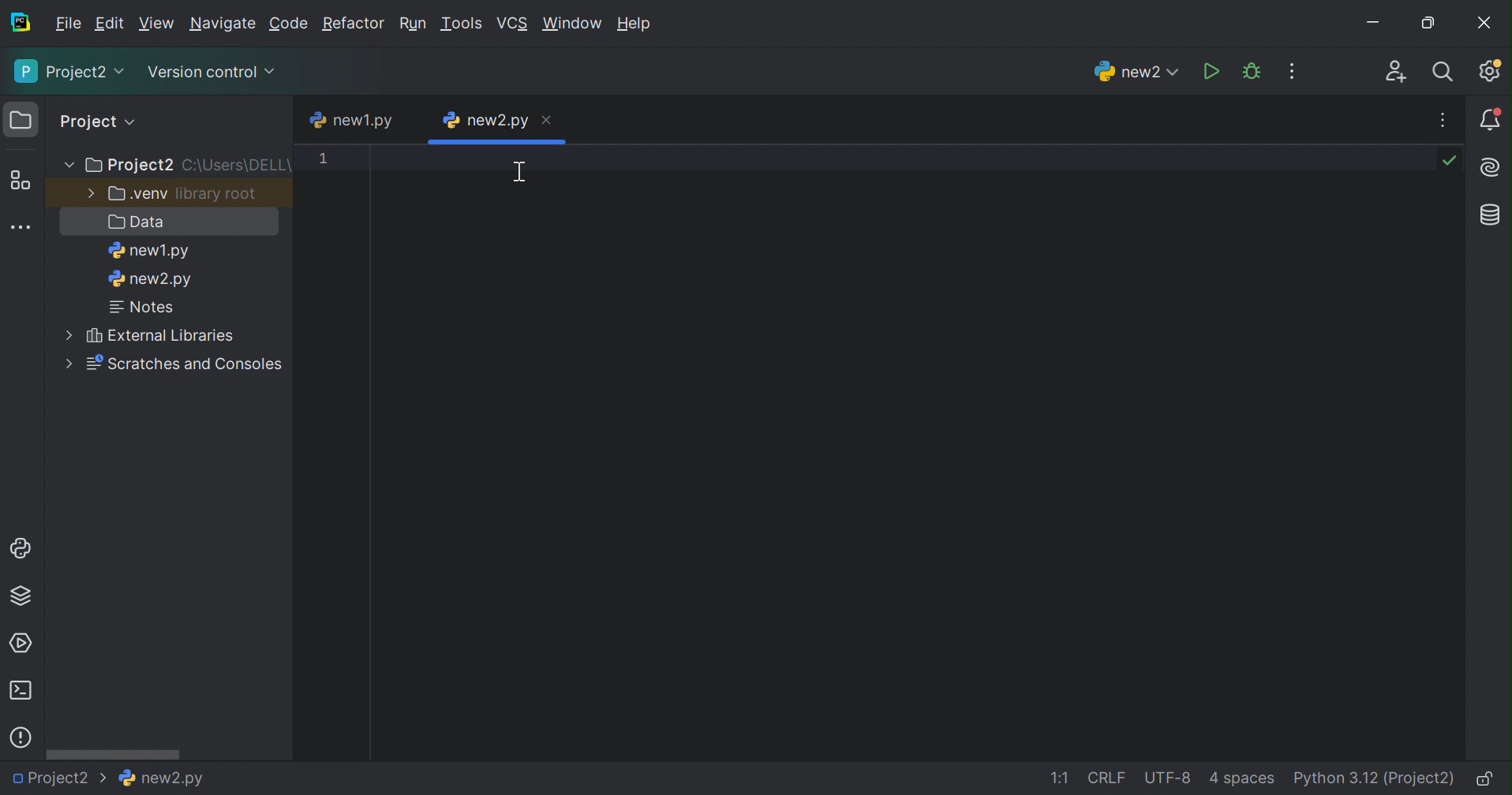  What do you see at coordinates (464, 24) in the screenshot?
I see `Tools` at bounding box center [464, 24].